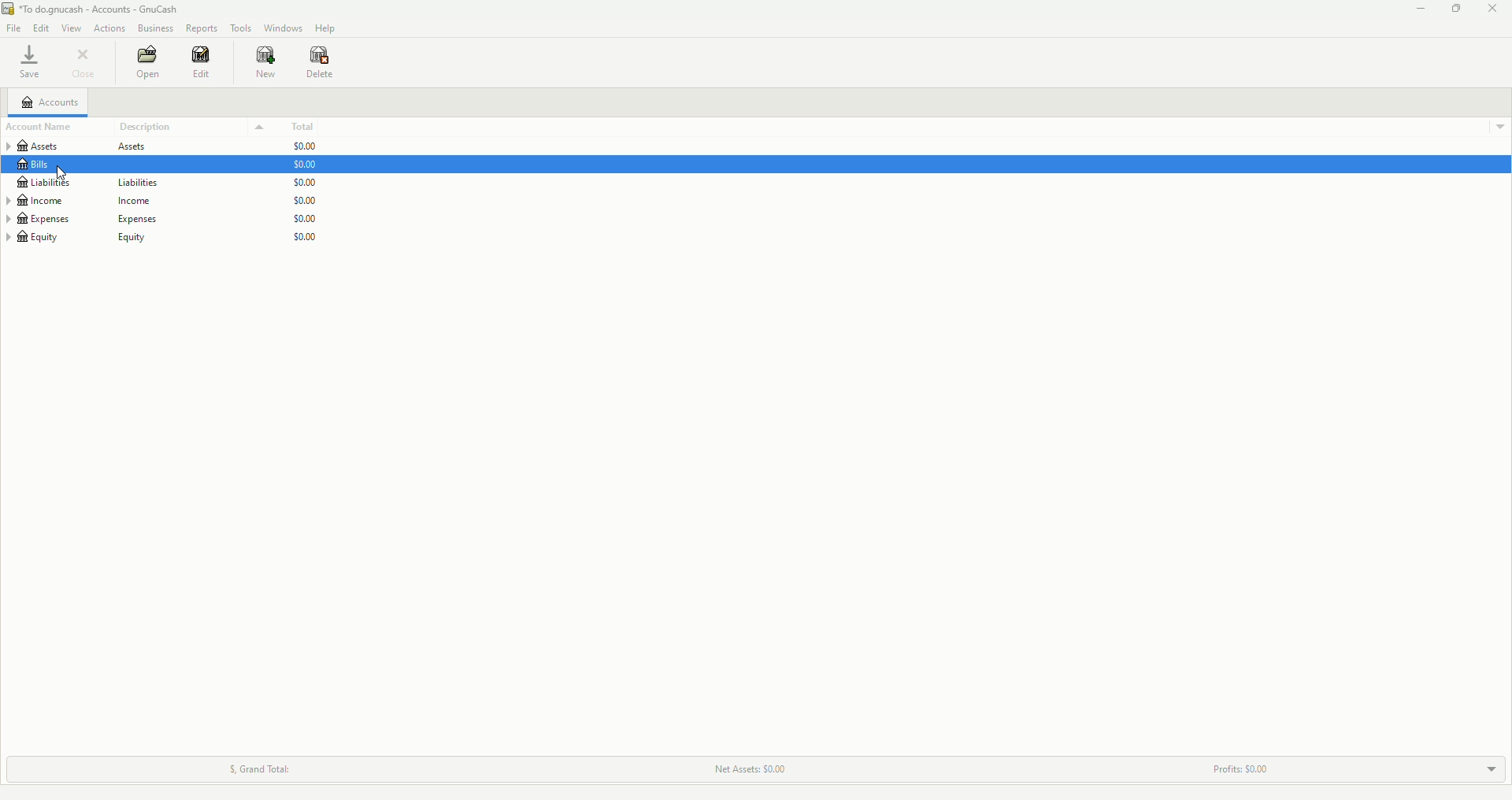 Image resolution: width=1512 pixels, height=800 pixels. Describe the element at coordinates (202, 28) in the screenshot. I see `Reports` at that location.